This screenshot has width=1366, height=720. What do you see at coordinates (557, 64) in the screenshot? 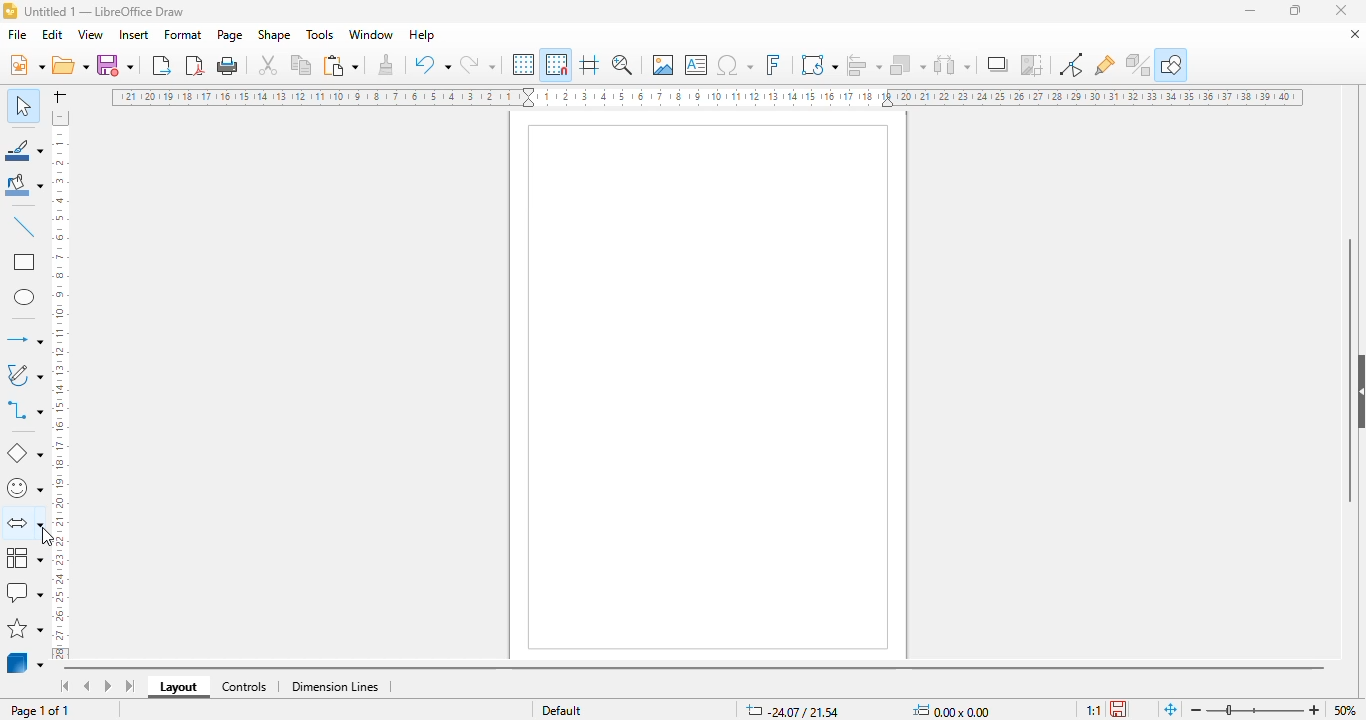
I see `snap to grid` at bounding box center [557, 64].